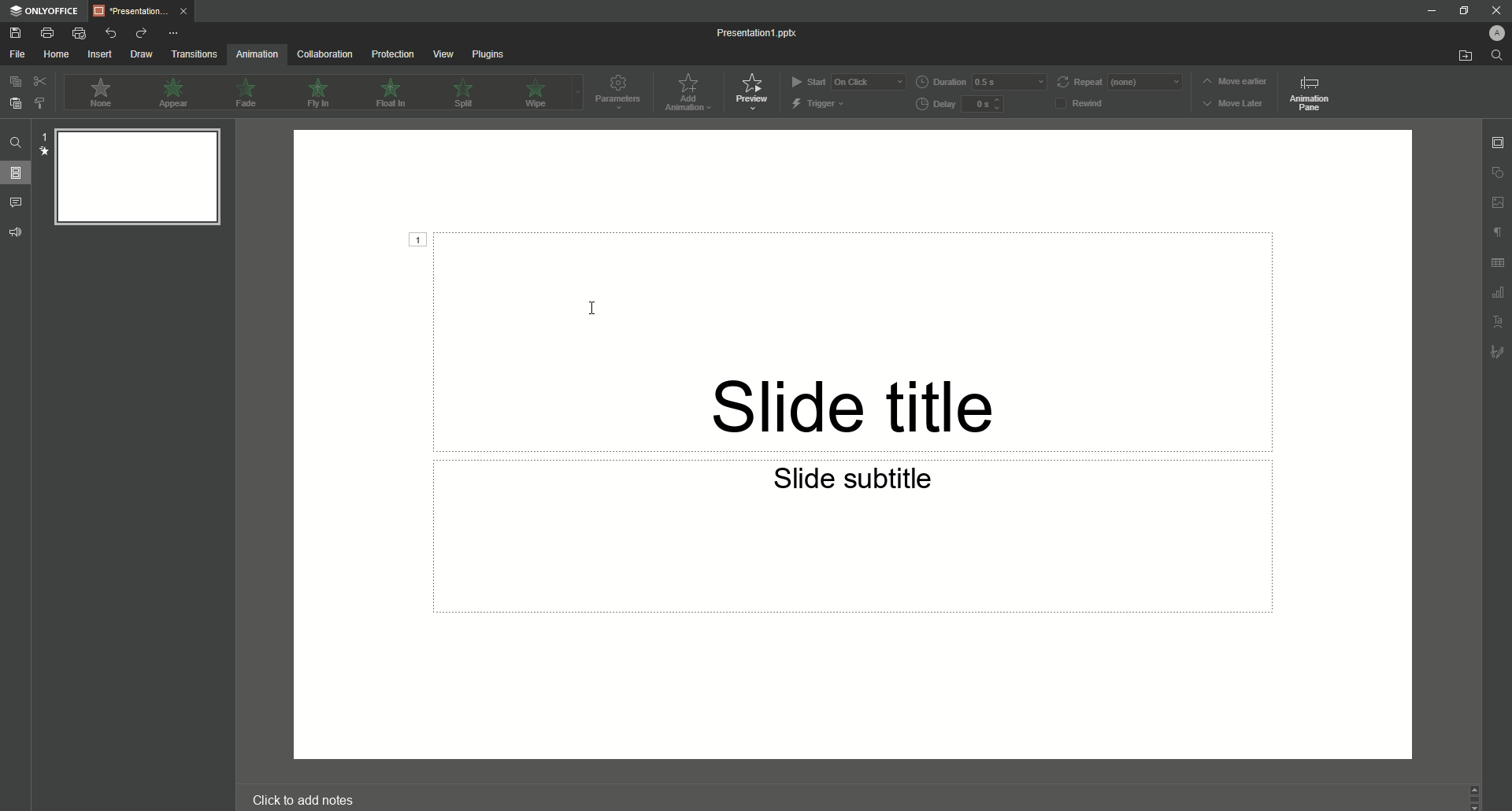  I want to click on Fade, so click(243, 94).